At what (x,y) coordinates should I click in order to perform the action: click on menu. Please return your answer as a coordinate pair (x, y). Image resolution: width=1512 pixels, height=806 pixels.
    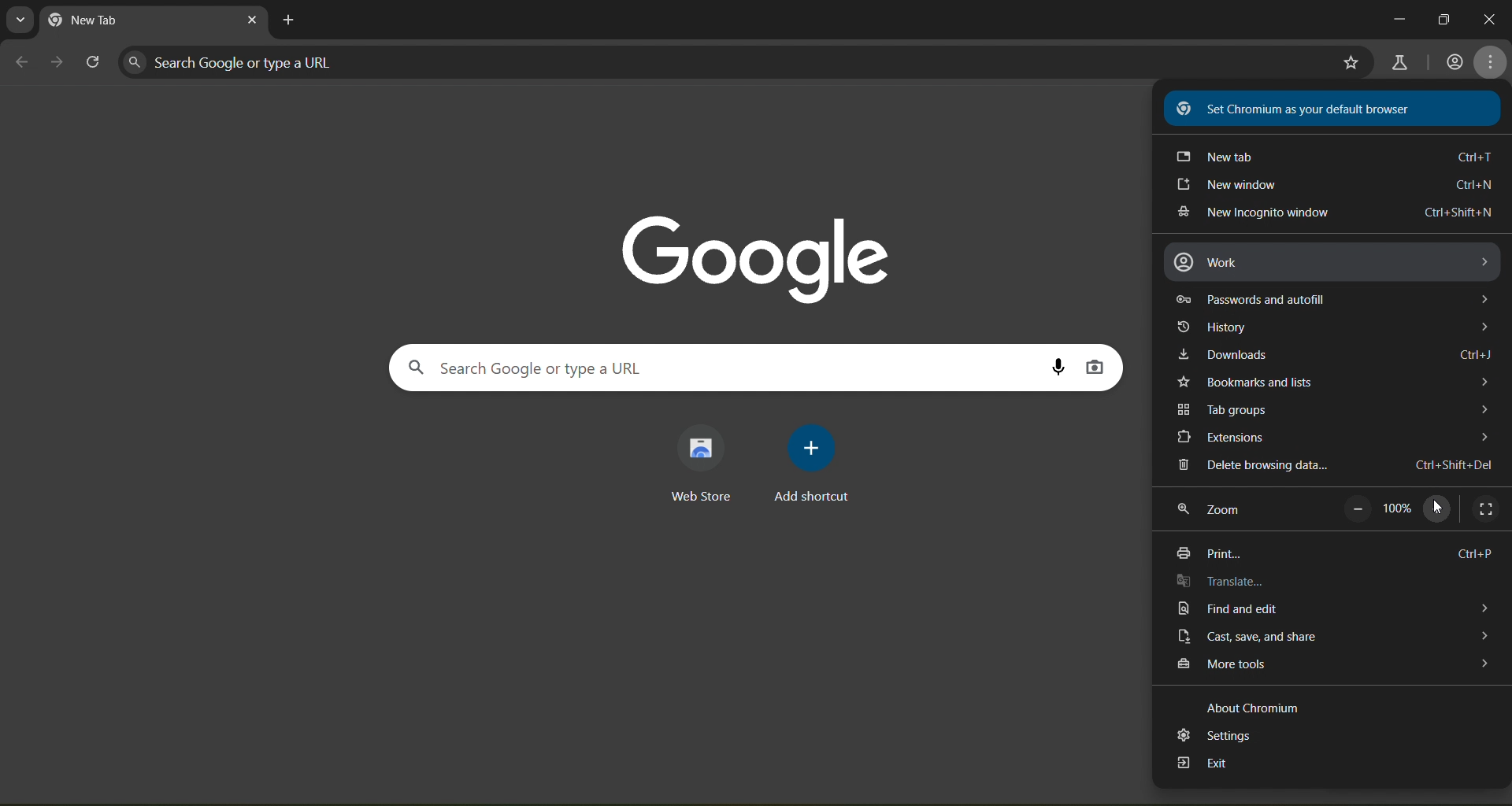
    Looking at the image, I should click on (1492, 61).